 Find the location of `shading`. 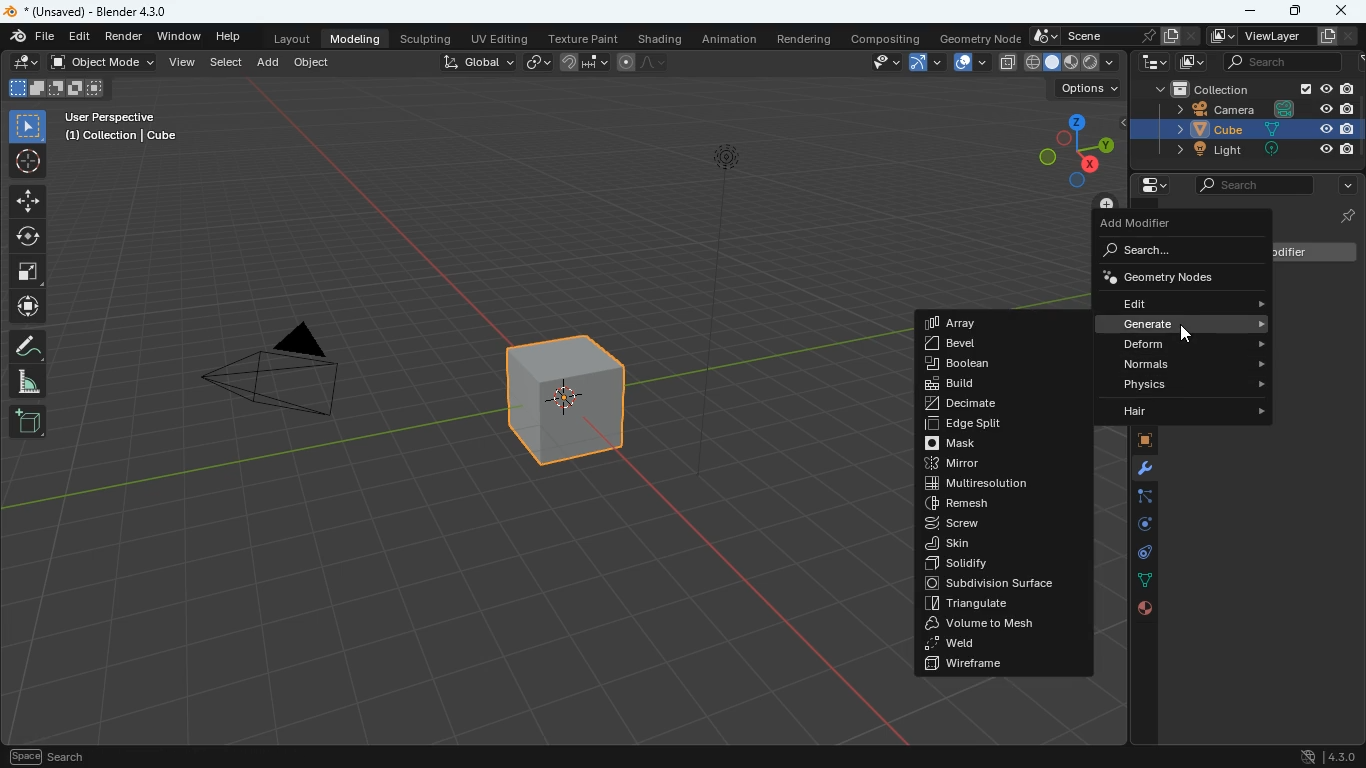

shading is located at coordinates (660, 39).